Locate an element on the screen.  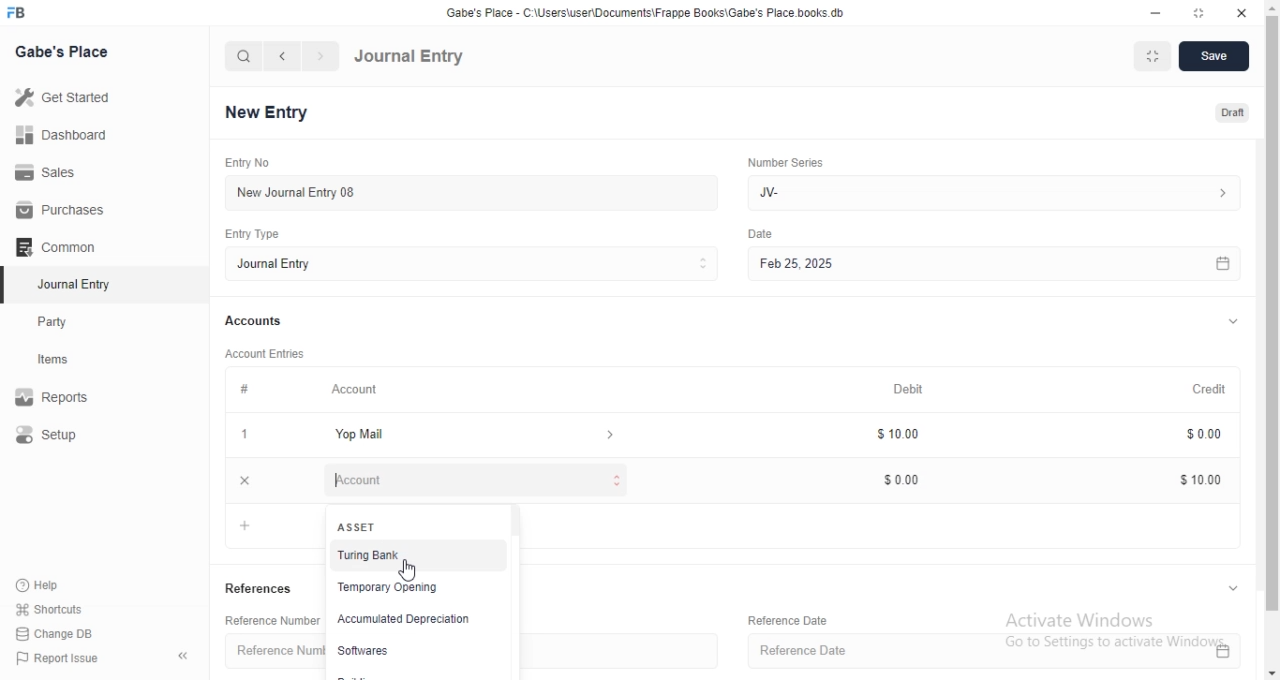
# is located at coordinates (243, 390).